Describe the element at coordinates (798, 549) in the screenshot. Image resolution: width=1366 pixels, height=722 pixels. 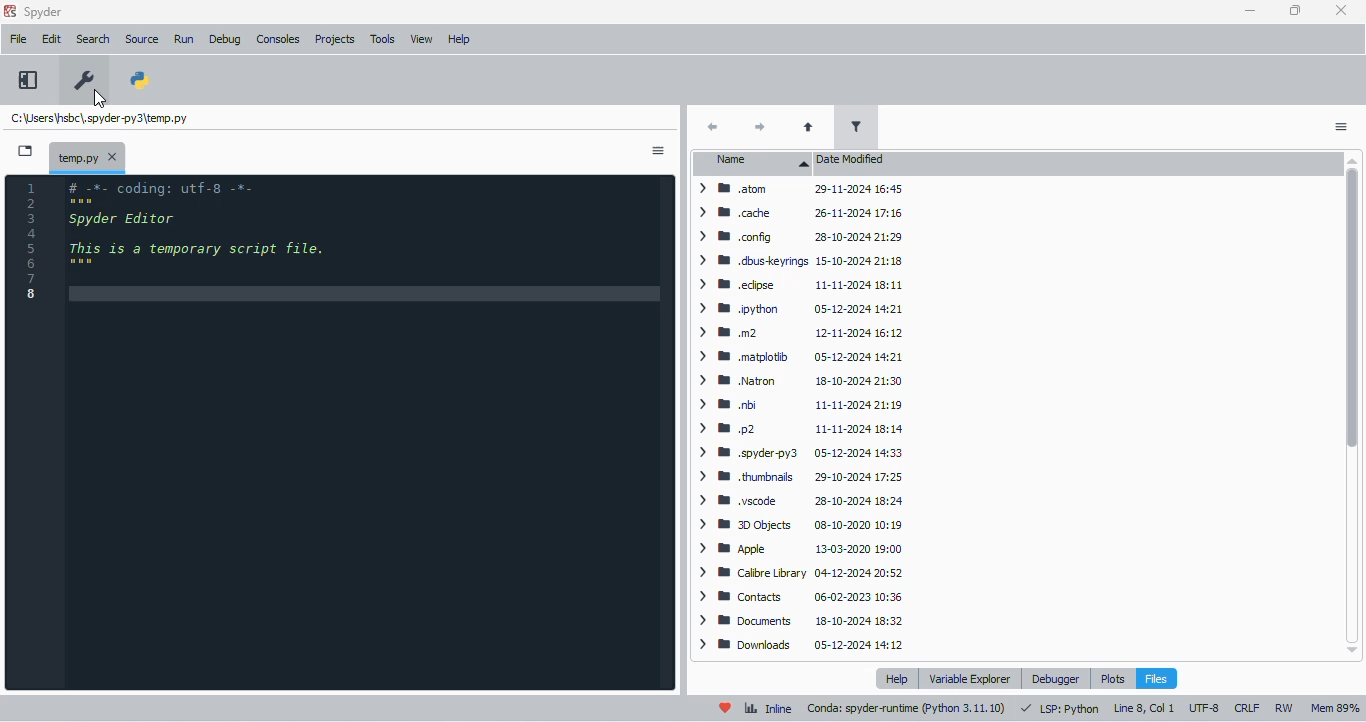
I see `> MW Apple 13-03-2020 19:00` at that location.